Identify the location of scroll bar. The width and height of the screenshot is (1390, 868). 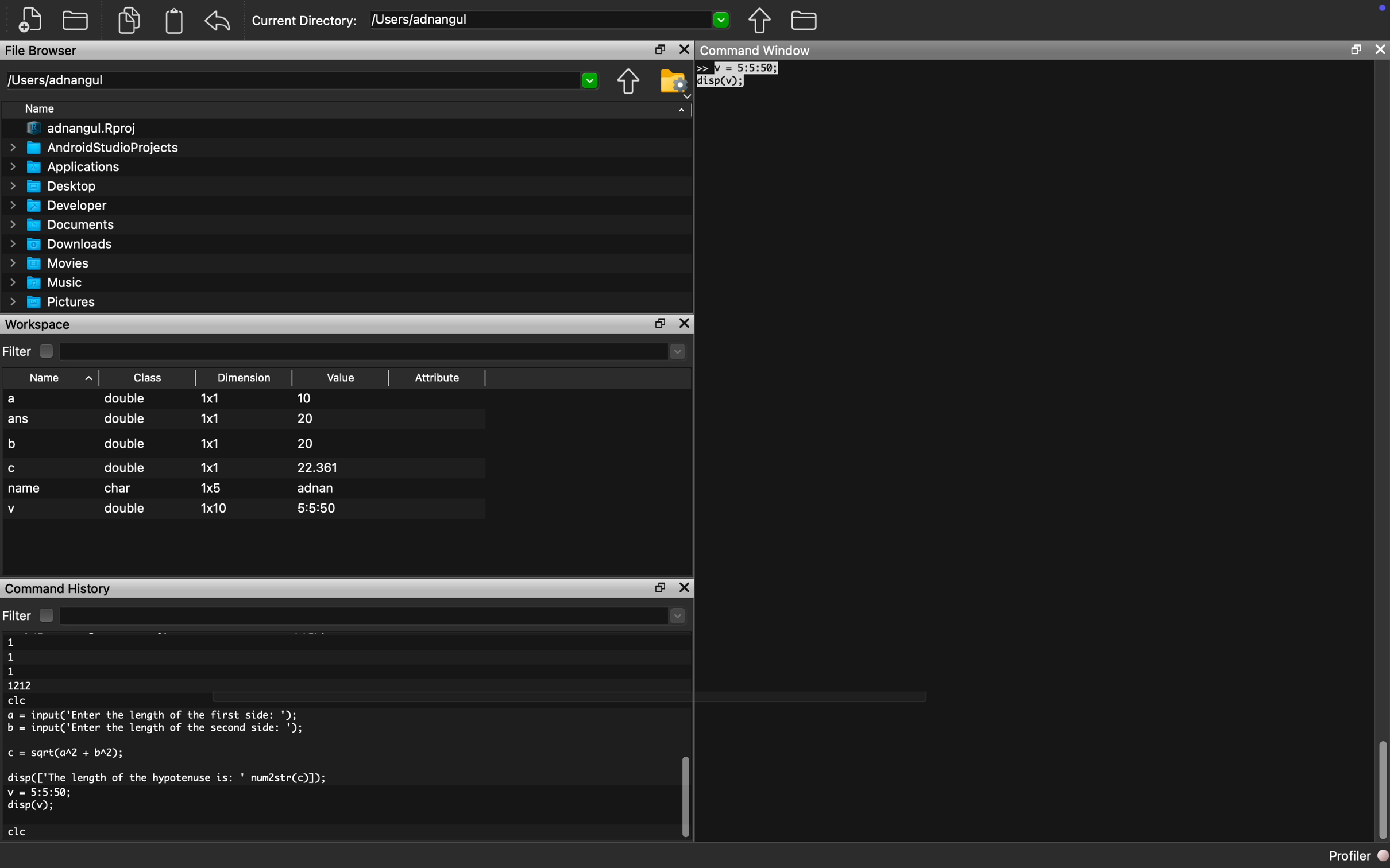
(1382, 789).